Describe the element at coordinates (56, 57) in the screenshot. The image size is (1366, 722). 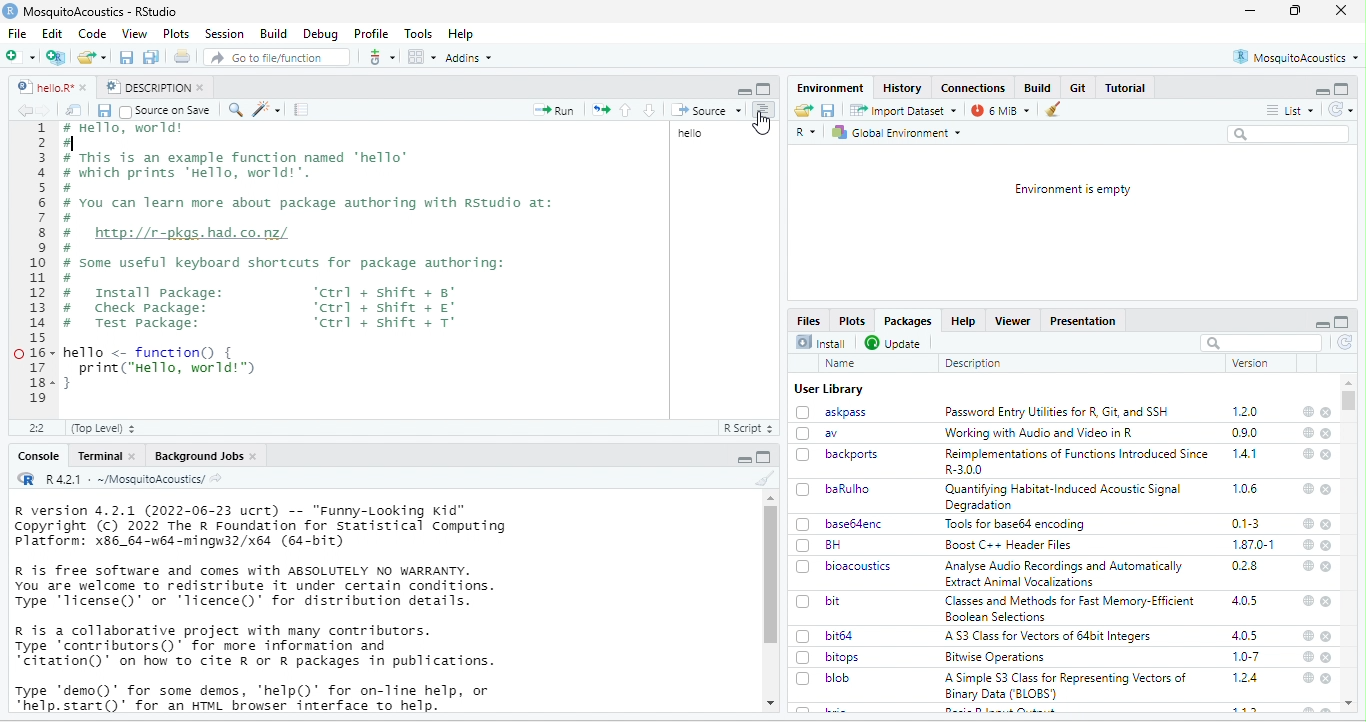
I see `create a project` at that location.